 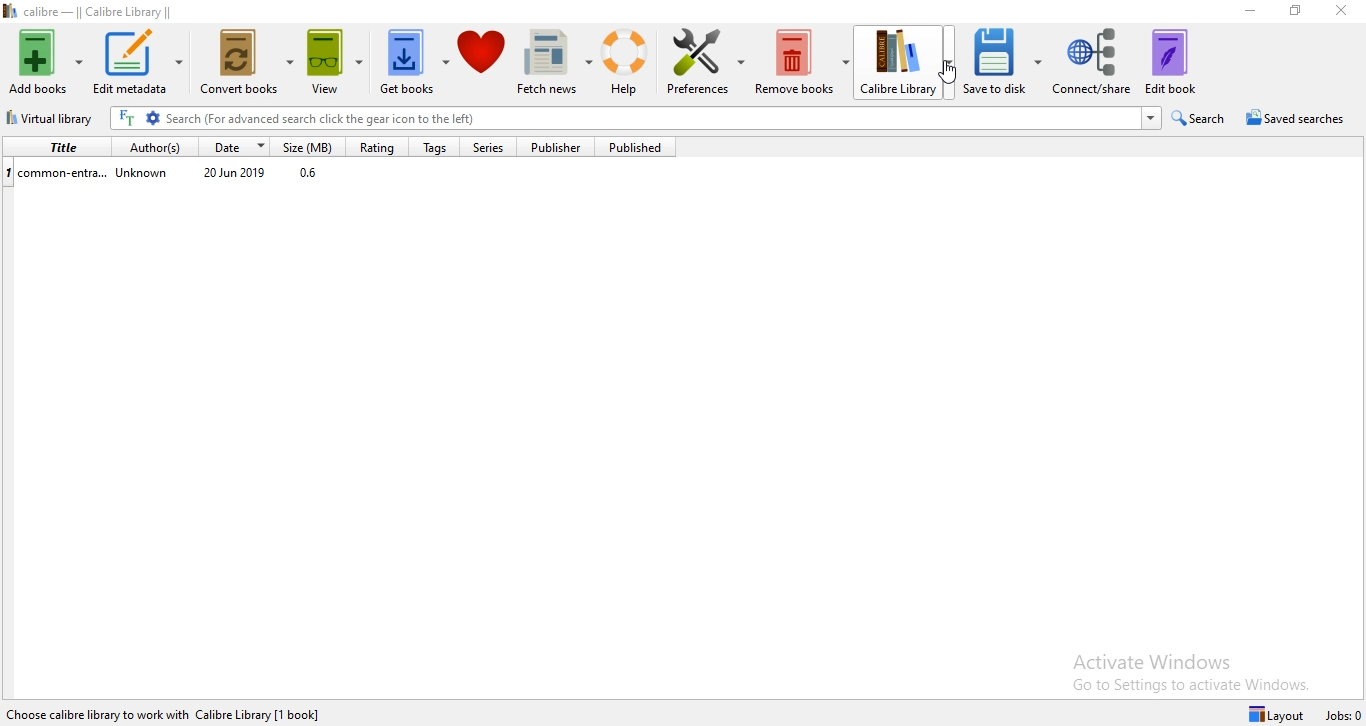 I want to click on Edit metadata, so click(x=138, y=63).